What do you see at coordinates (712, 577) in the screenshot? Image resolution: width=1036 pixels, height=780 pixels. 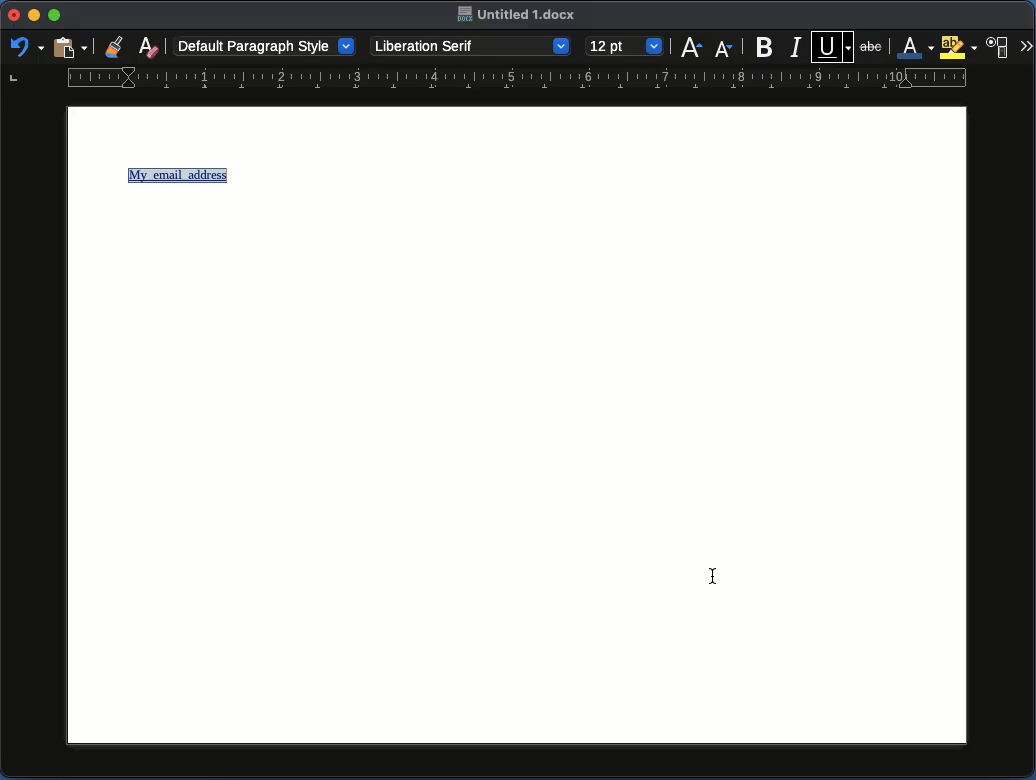 I see `cursor` at bounding box center [712, 577].